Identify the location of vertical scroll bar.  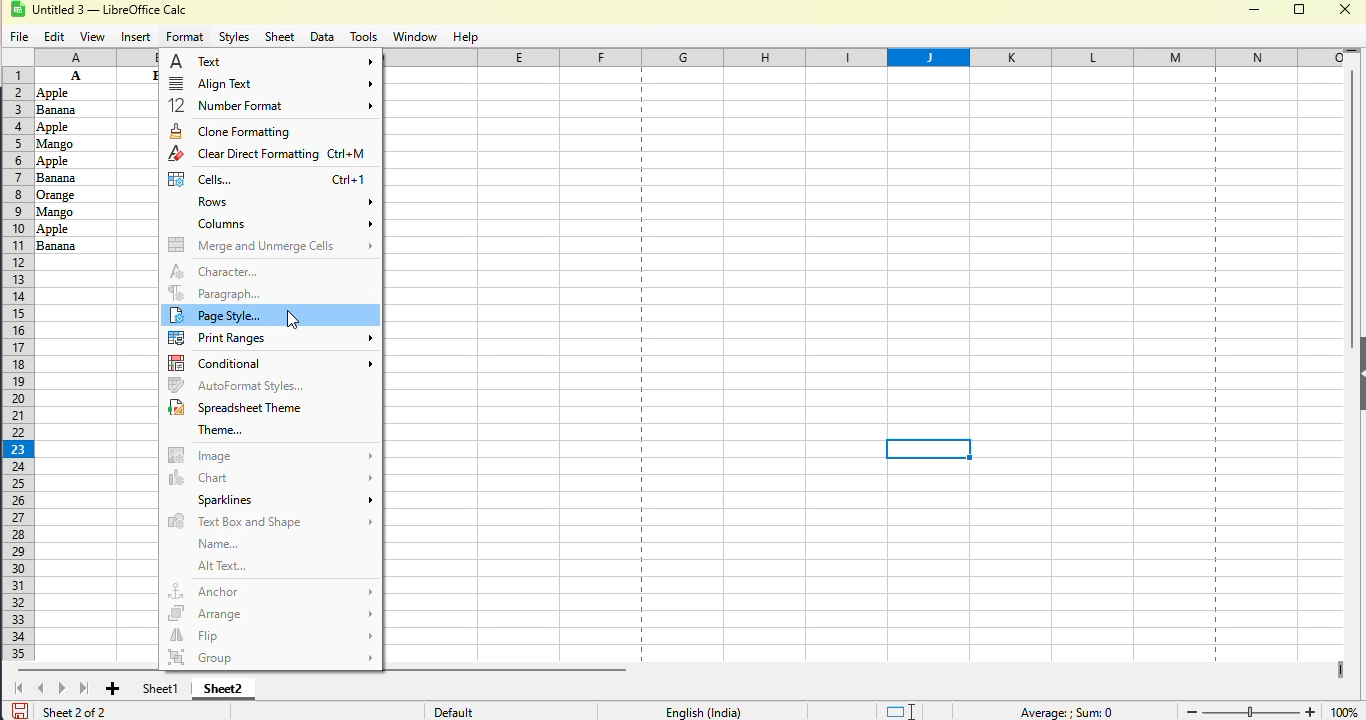
(1352, 209).